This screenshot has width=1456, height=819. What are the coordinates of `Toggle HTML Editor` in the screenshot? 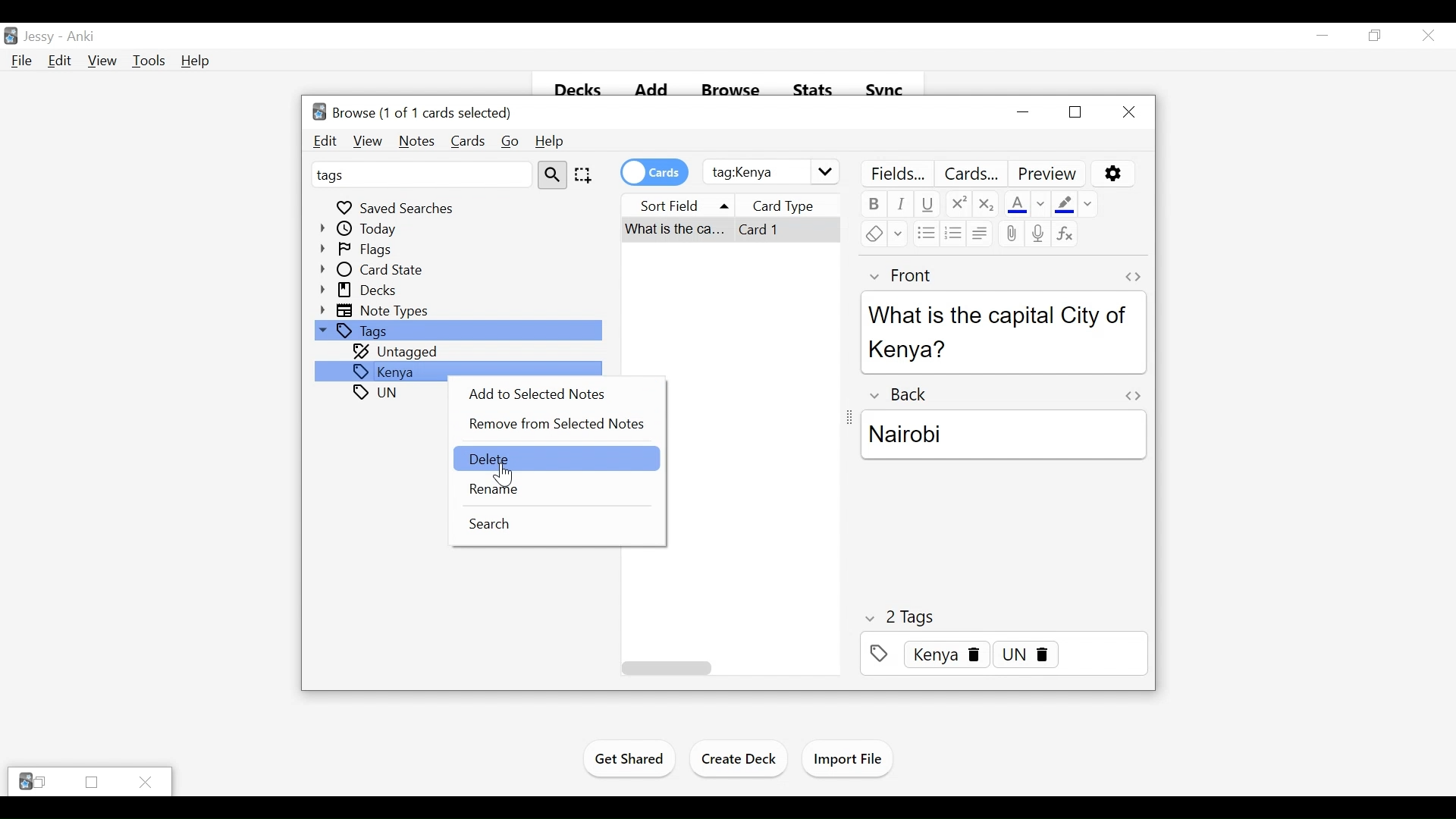 It's located at (1132, 395).